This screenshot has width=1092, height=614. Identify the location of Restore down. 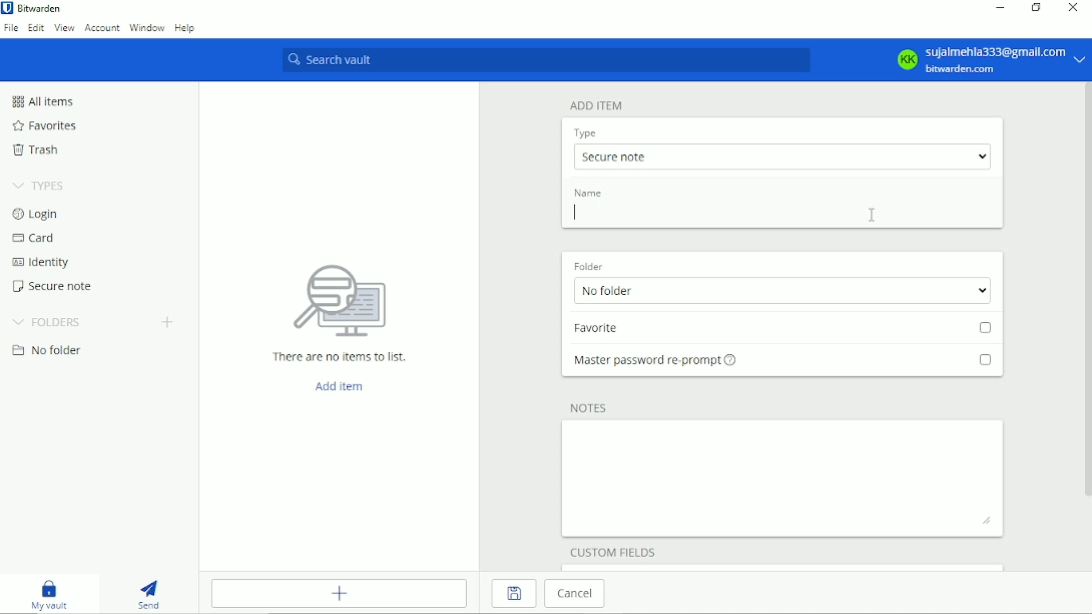
(1034, 8).